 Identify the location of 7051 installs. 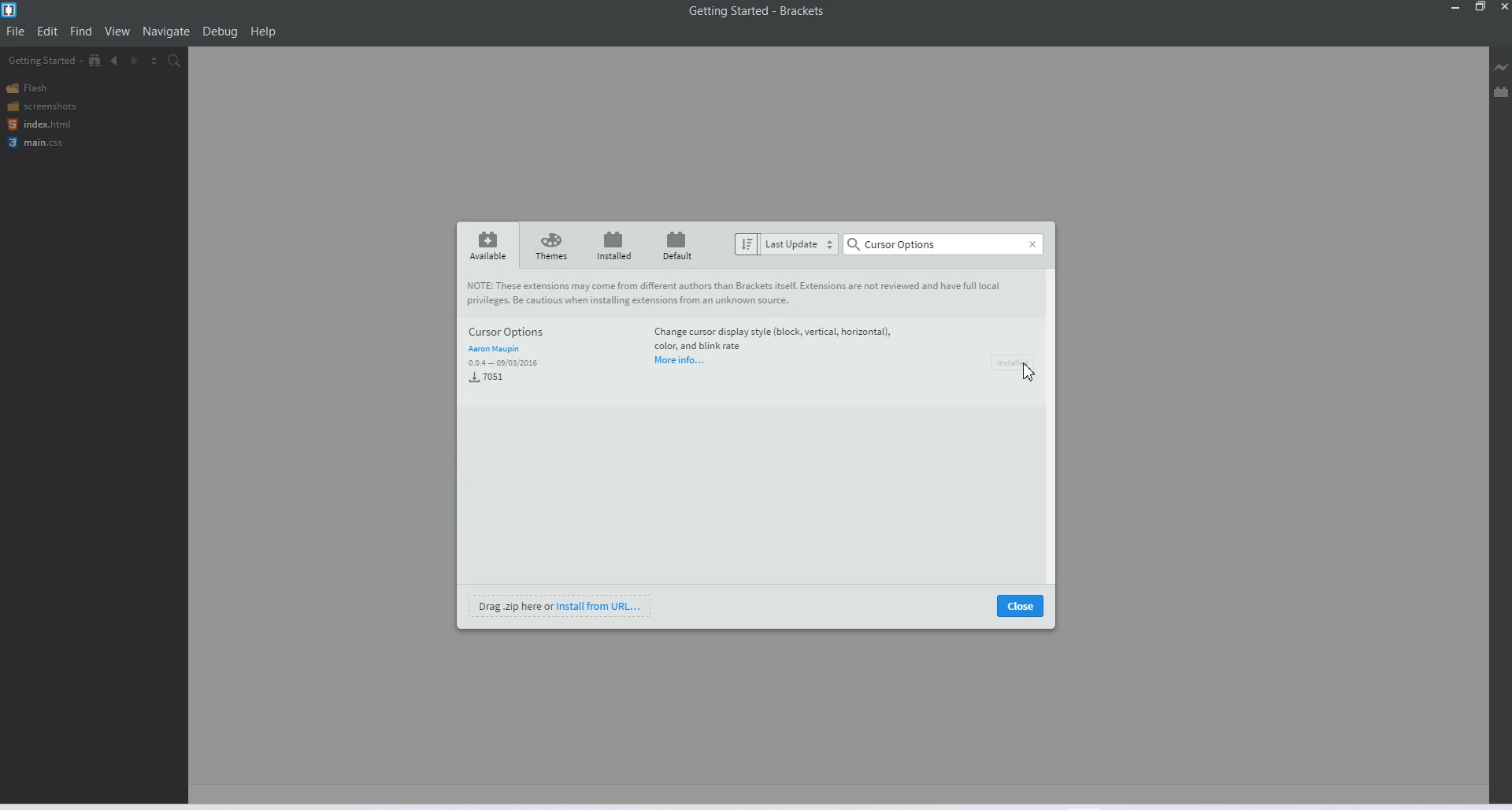
(487, 380).